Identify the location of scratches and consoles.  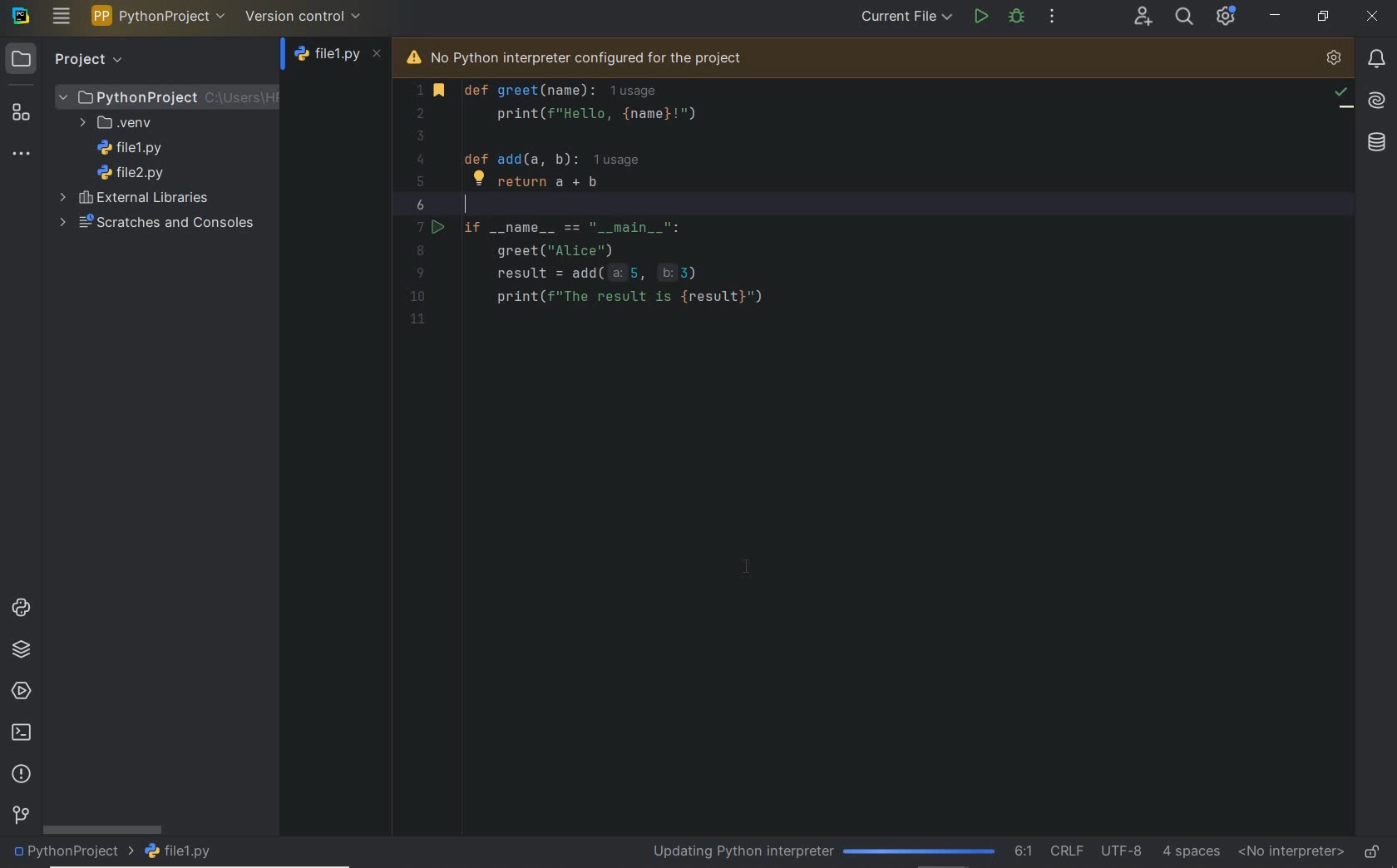
(152, 199).